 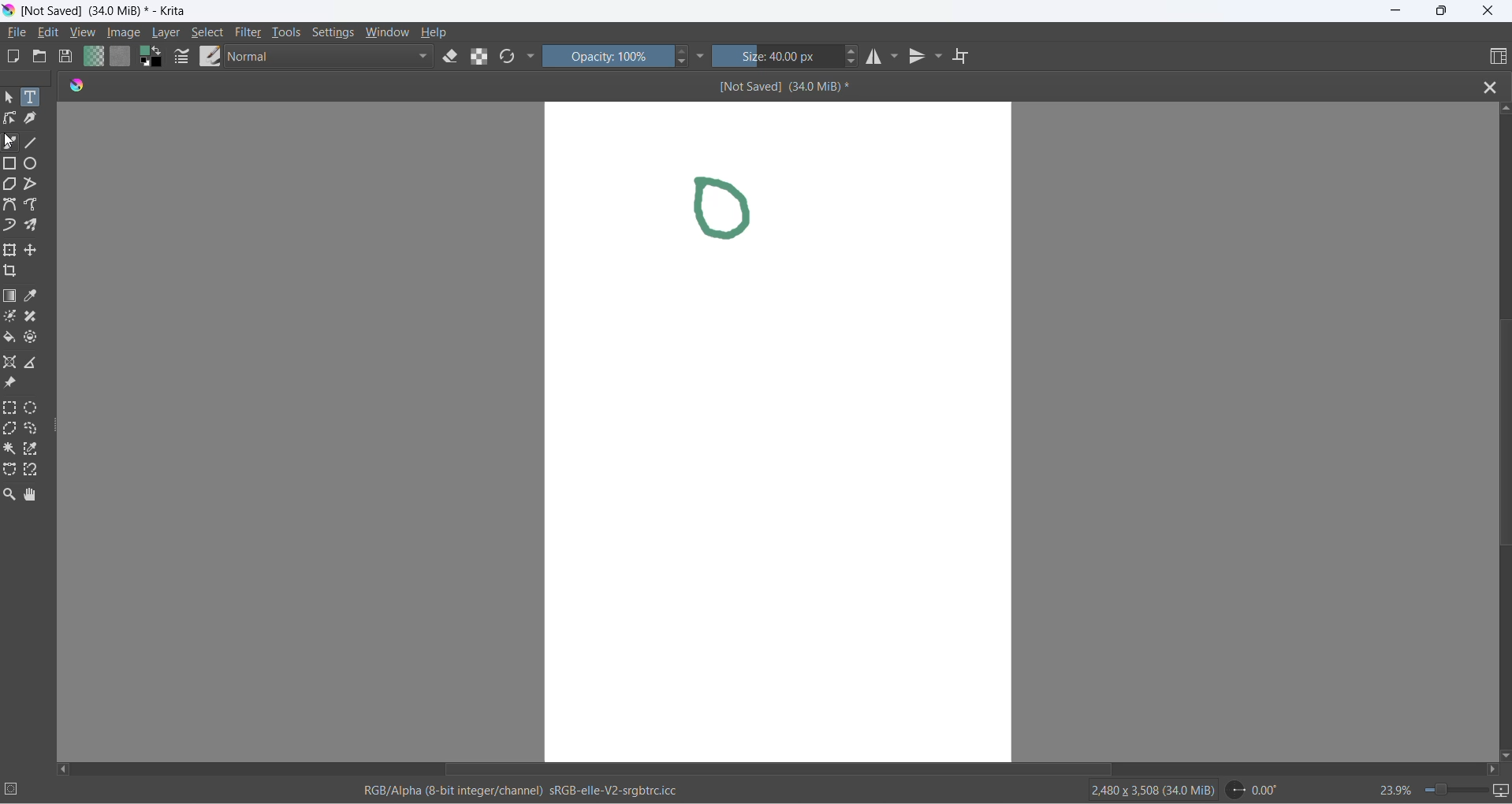 What do you see at coordinates (84, 32) in the screenshot?
I see `view` at bounding box center [84, 32].